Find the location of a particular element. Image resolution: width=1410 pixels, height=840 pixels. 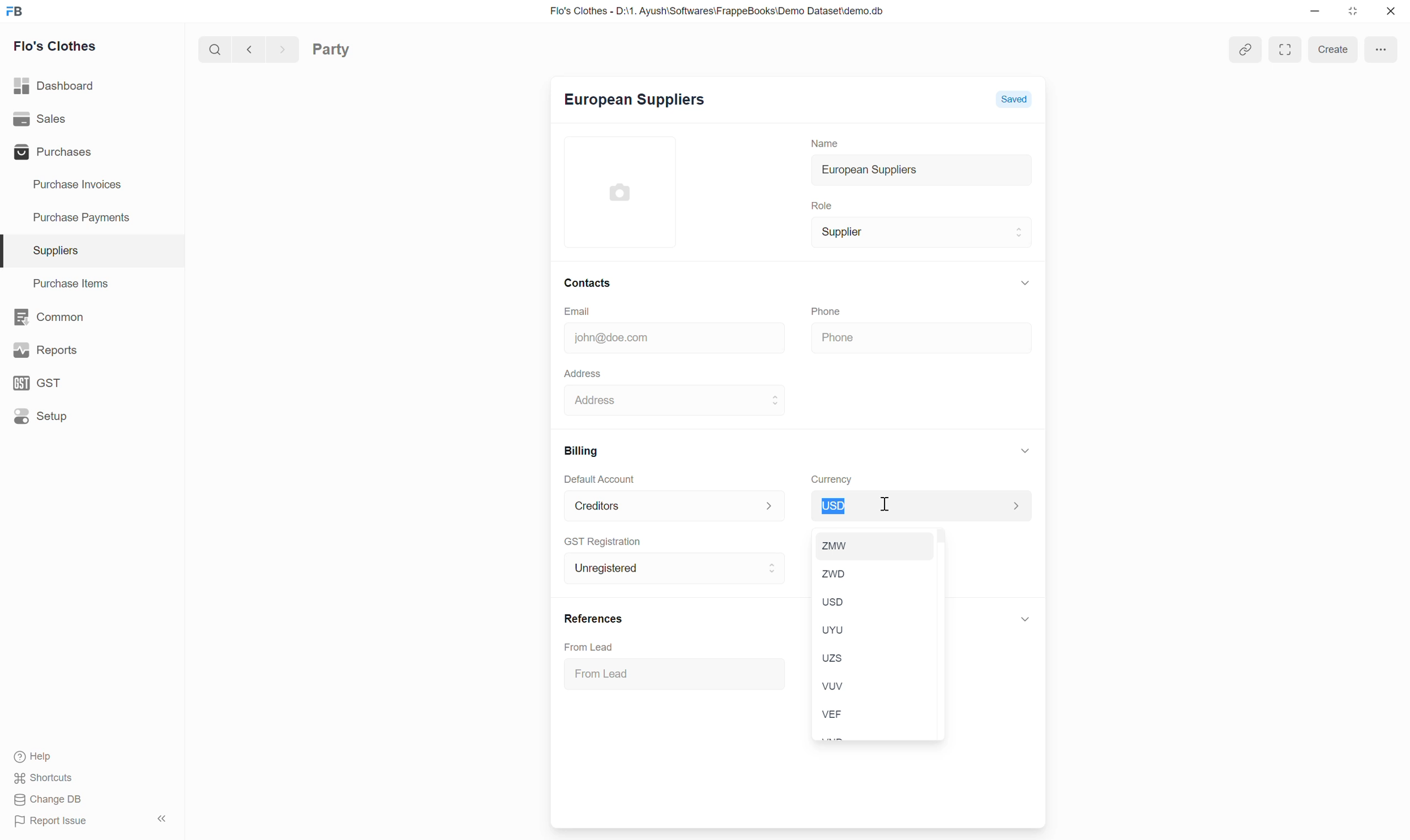

Saved is located at coordinates (1019, 101).